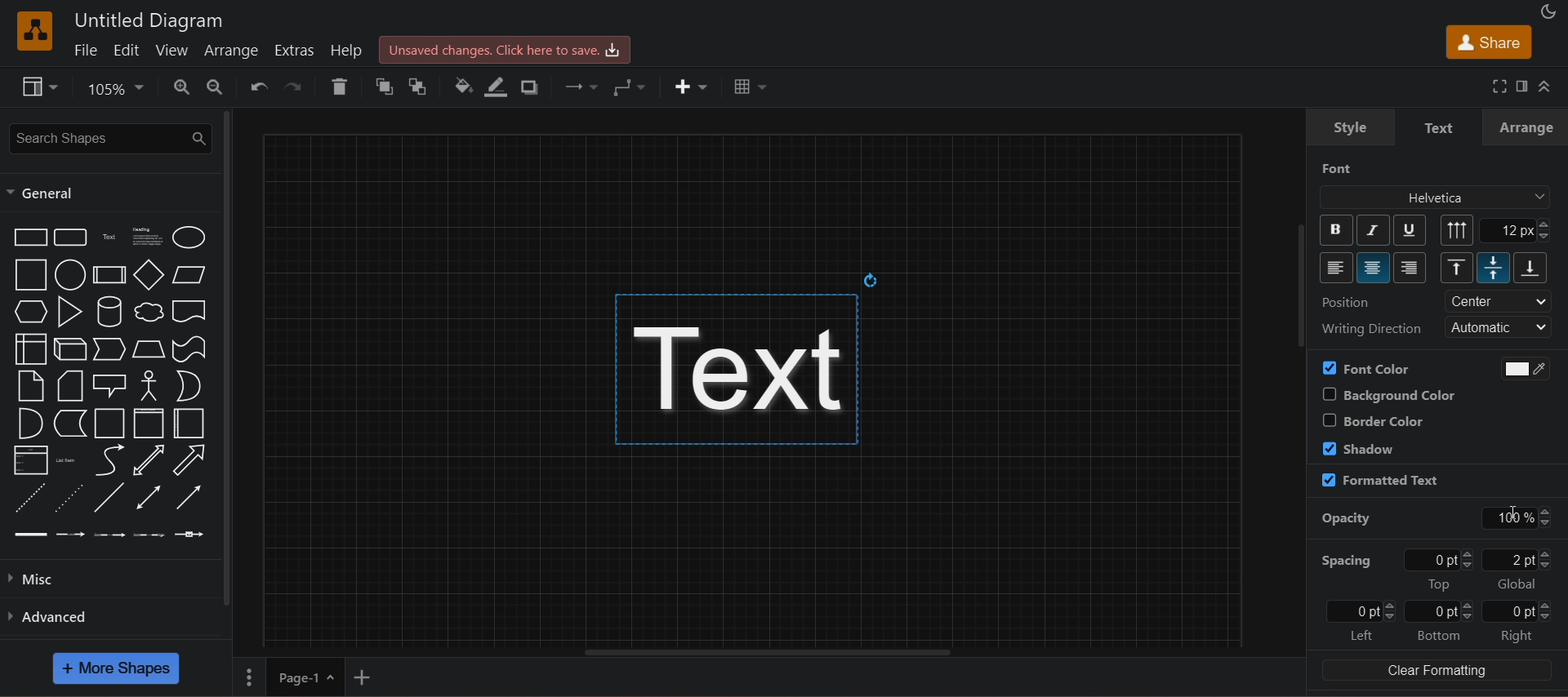  What do you see at coordinates (42, 87) in the screenshot?
I see `view` at bounding box center [42, 87].